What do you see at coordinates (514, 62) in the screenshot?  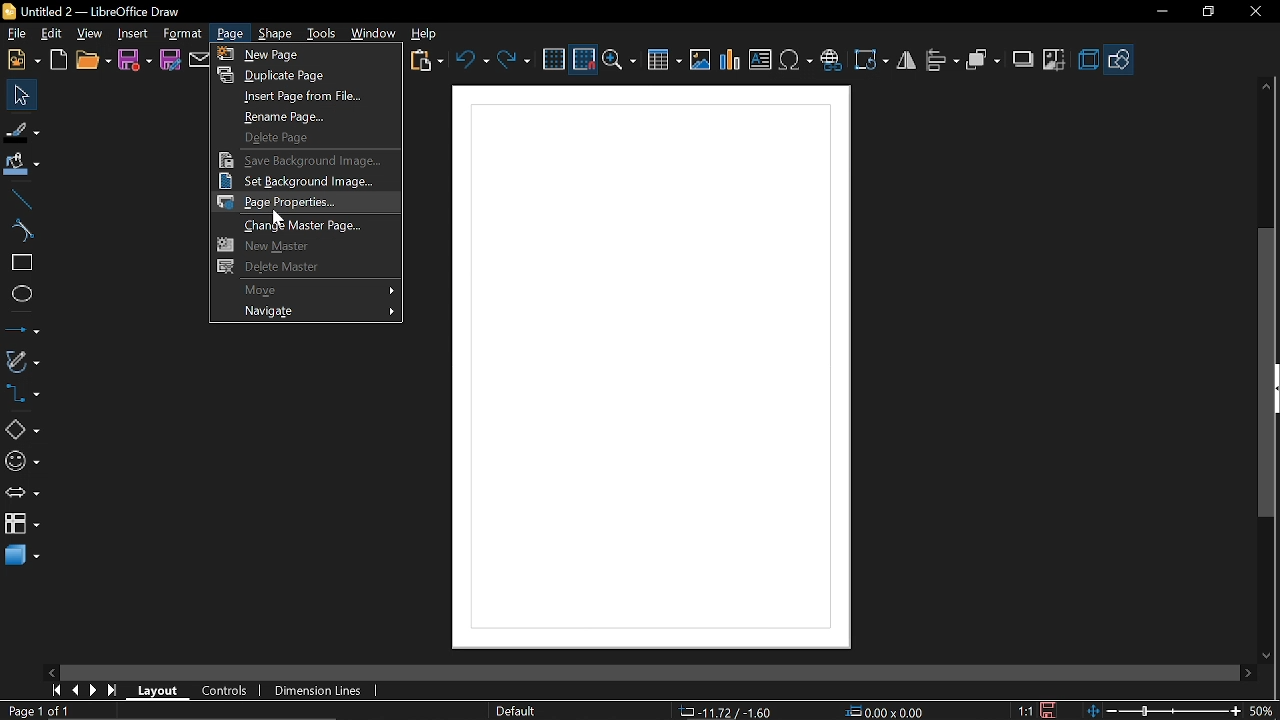 I see `Redo` at bounding box center [514, 62].